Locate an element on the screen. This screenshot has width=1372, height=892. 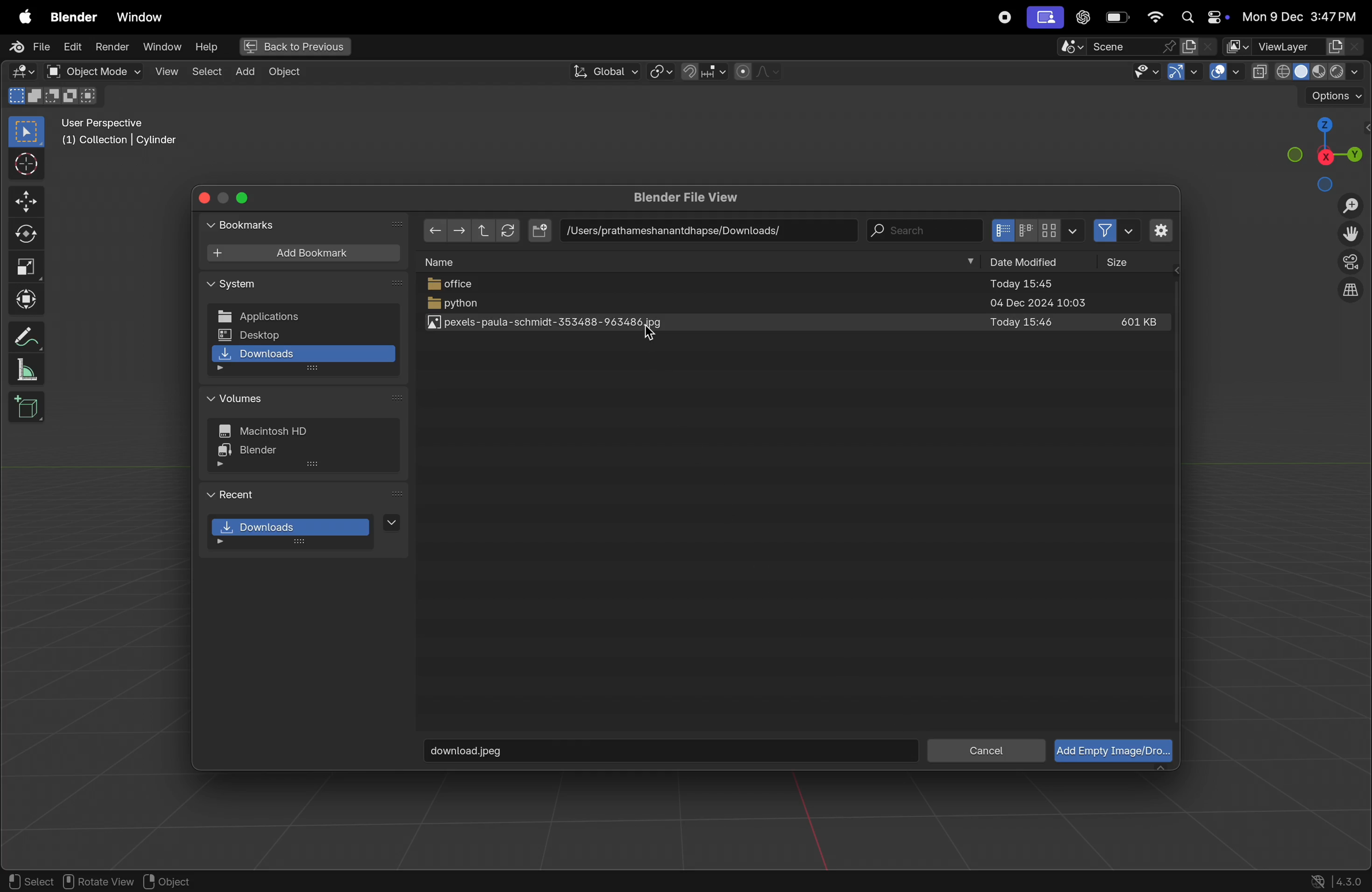
File is located at coordinates (26, 47).